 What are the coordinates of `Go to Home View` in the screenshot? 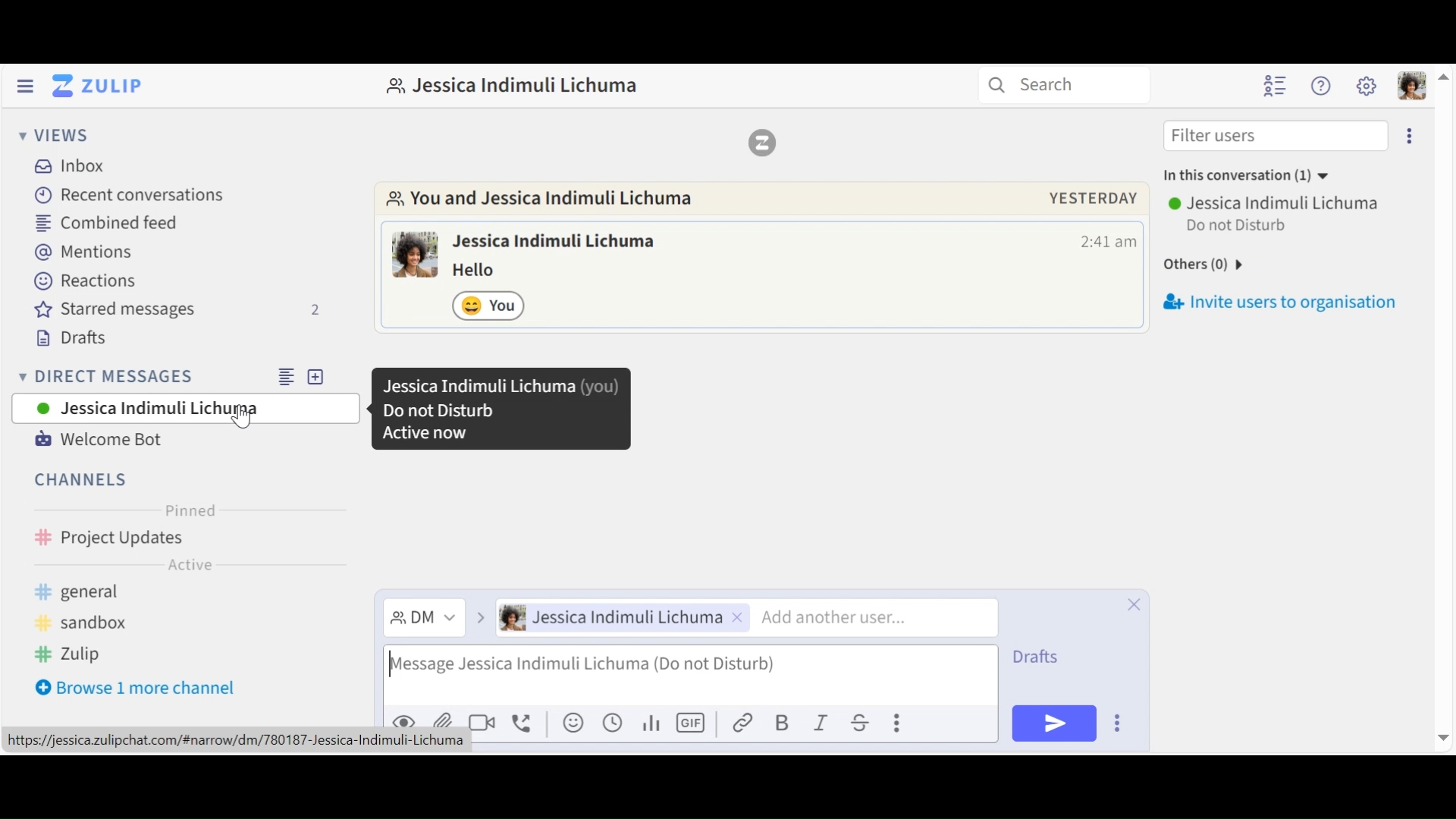 It's located at (94, 86).